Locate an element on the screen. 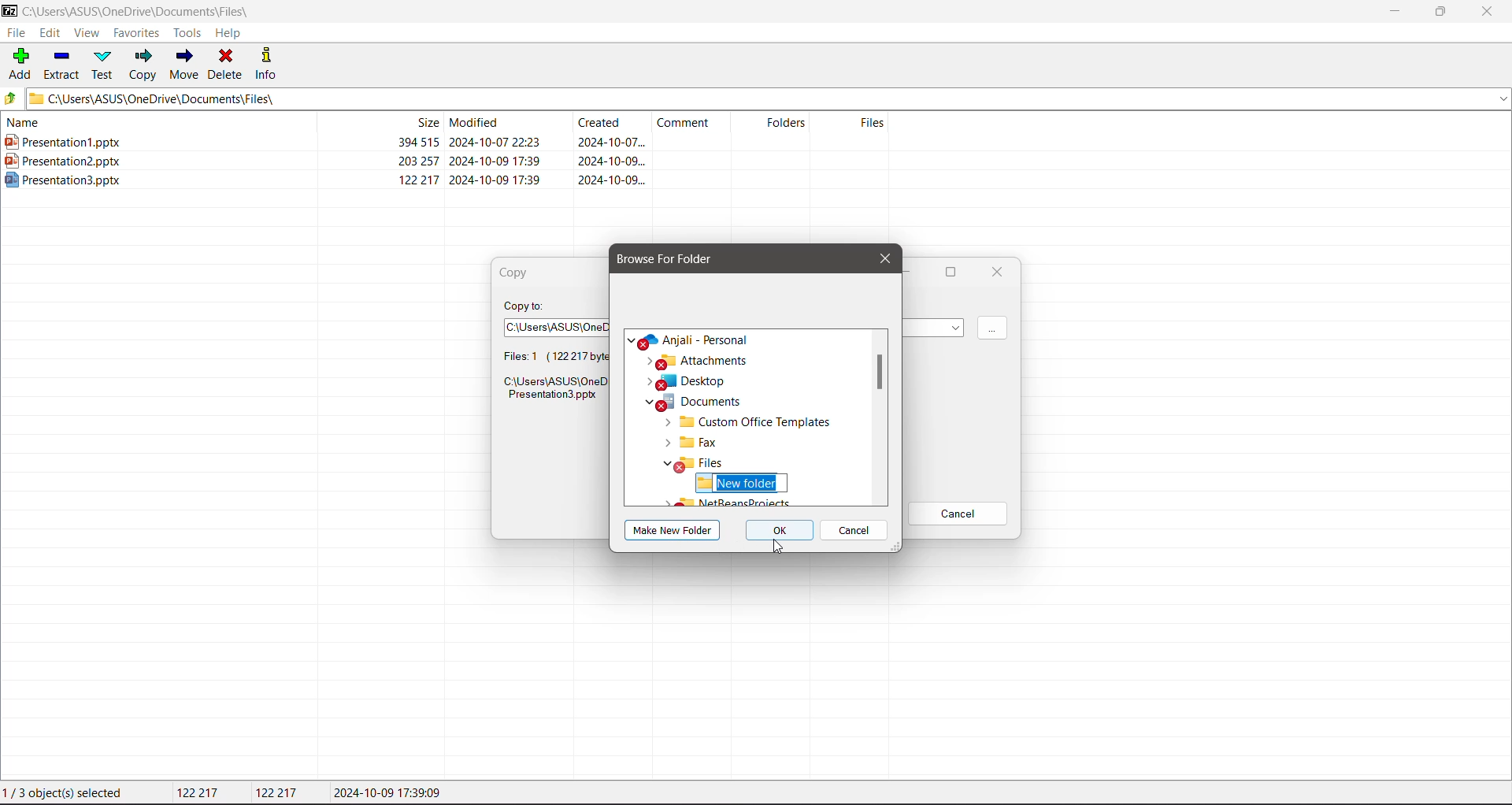  Created Date is located at coordinates (613, 124).